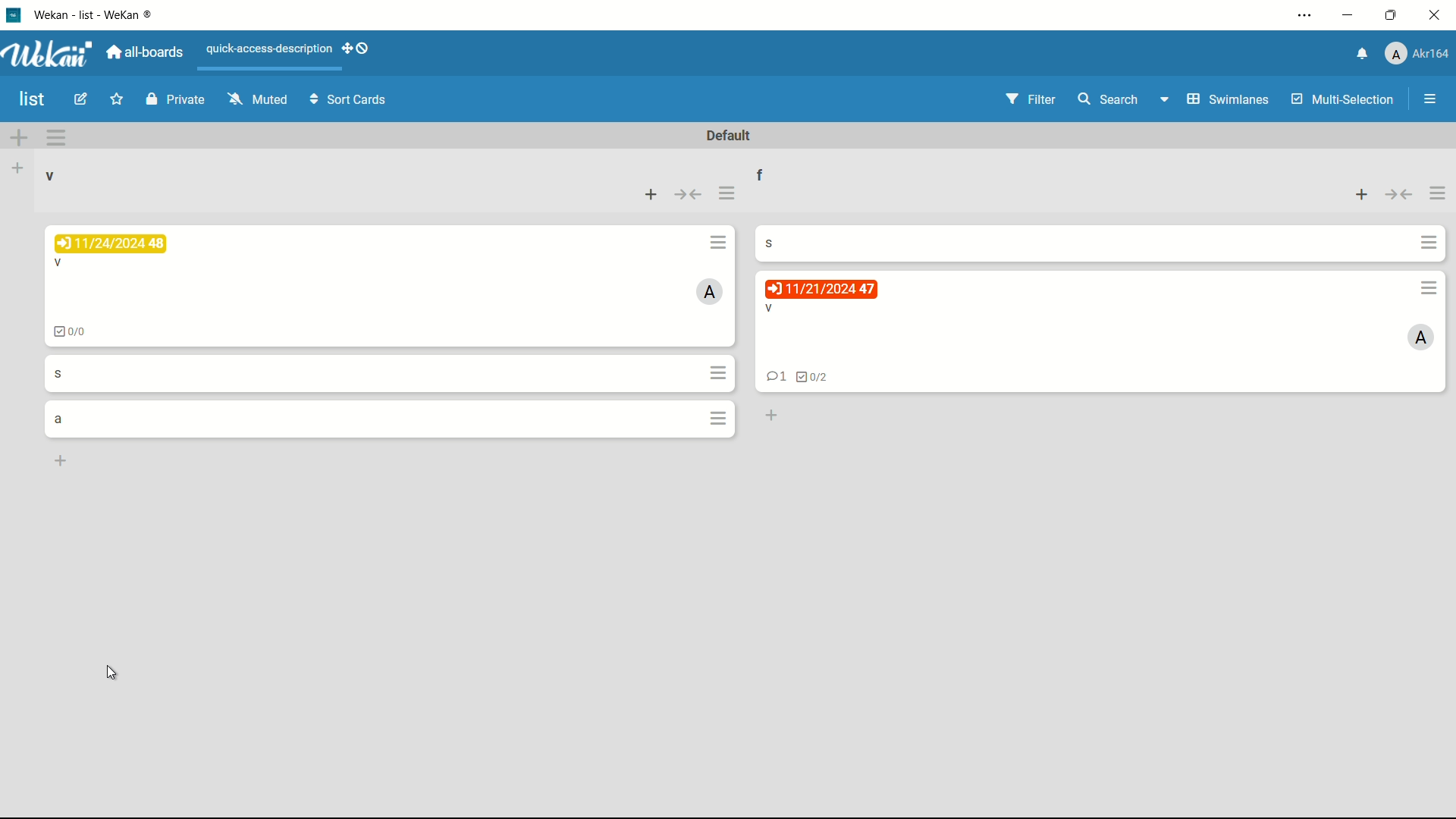  I want to click on cursor, so click(113, 673).